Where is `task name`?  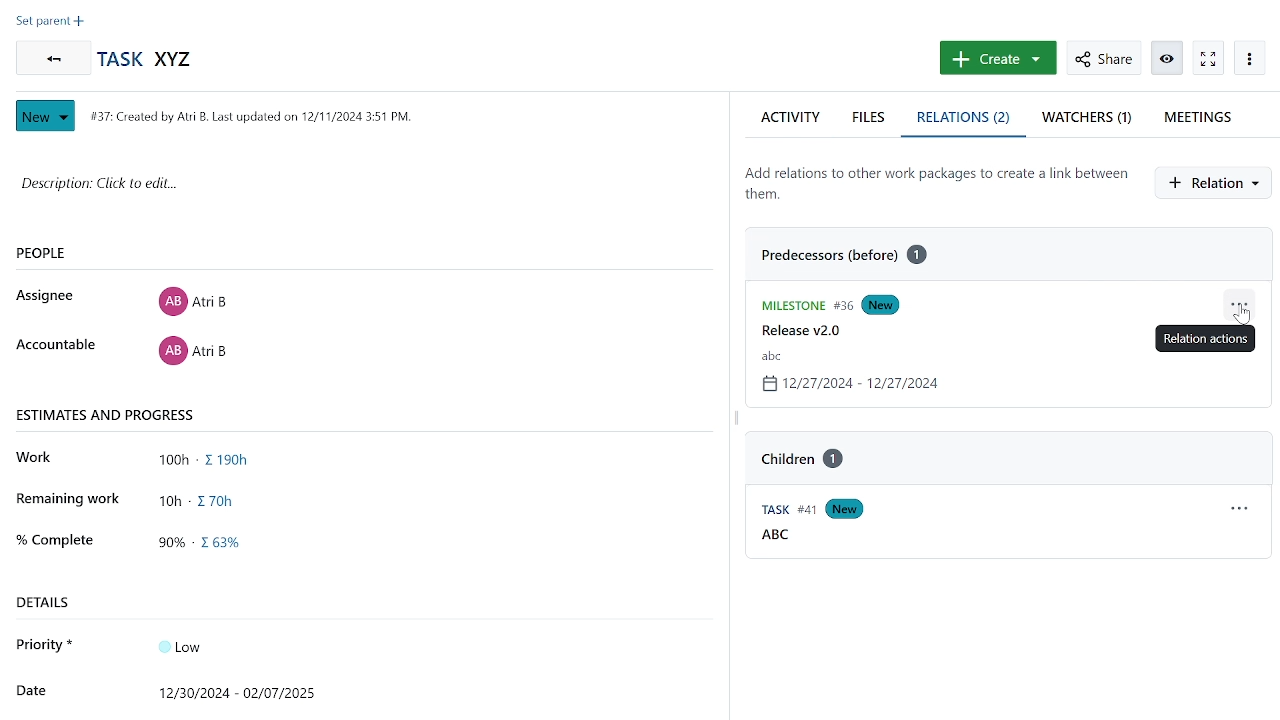
task name is located at coordinates (150, 60).